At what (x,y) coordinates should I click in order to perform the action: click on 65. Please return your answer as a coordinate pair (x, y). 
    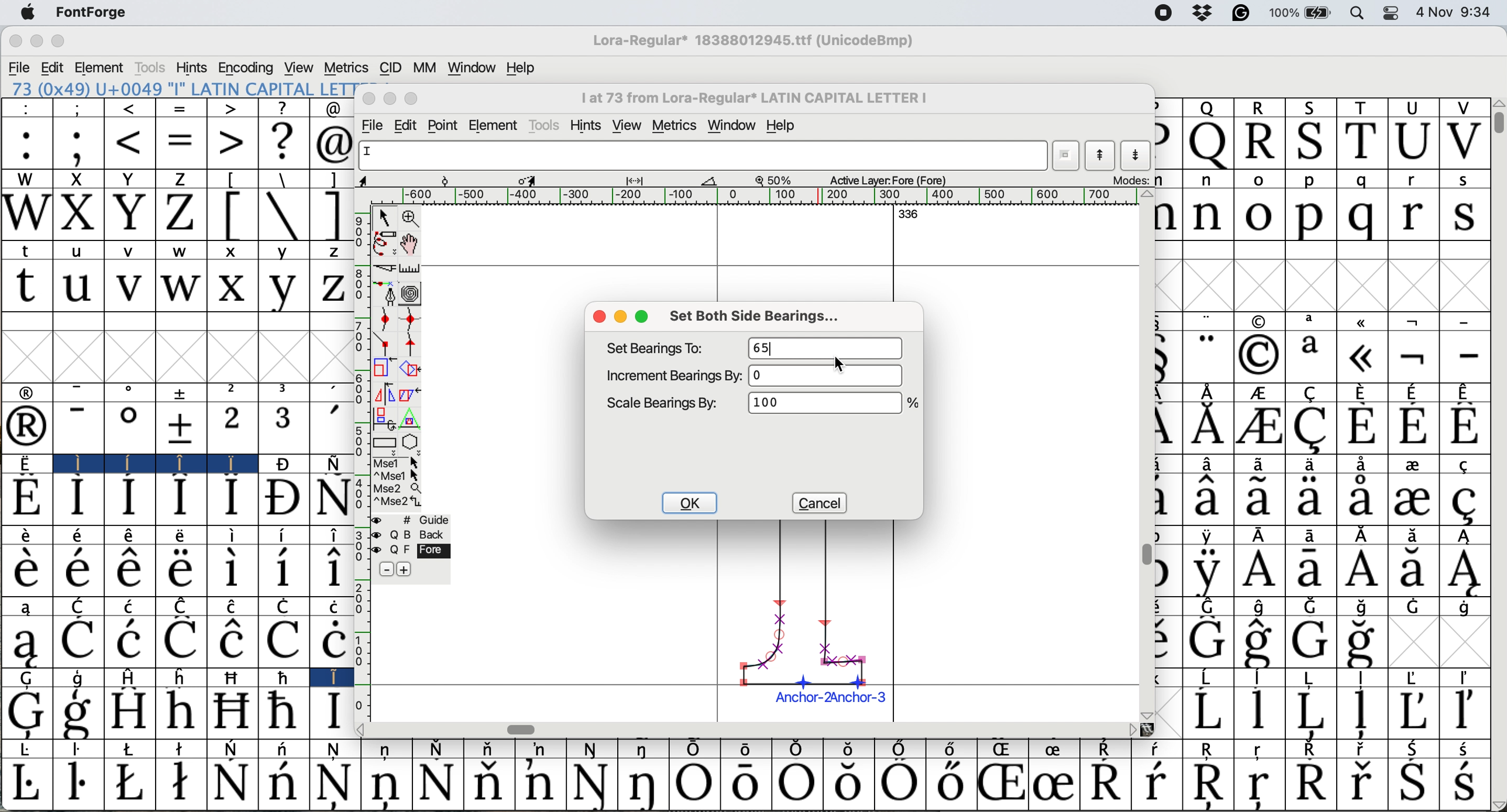
    Looking at the image, I should click on (827, 348).